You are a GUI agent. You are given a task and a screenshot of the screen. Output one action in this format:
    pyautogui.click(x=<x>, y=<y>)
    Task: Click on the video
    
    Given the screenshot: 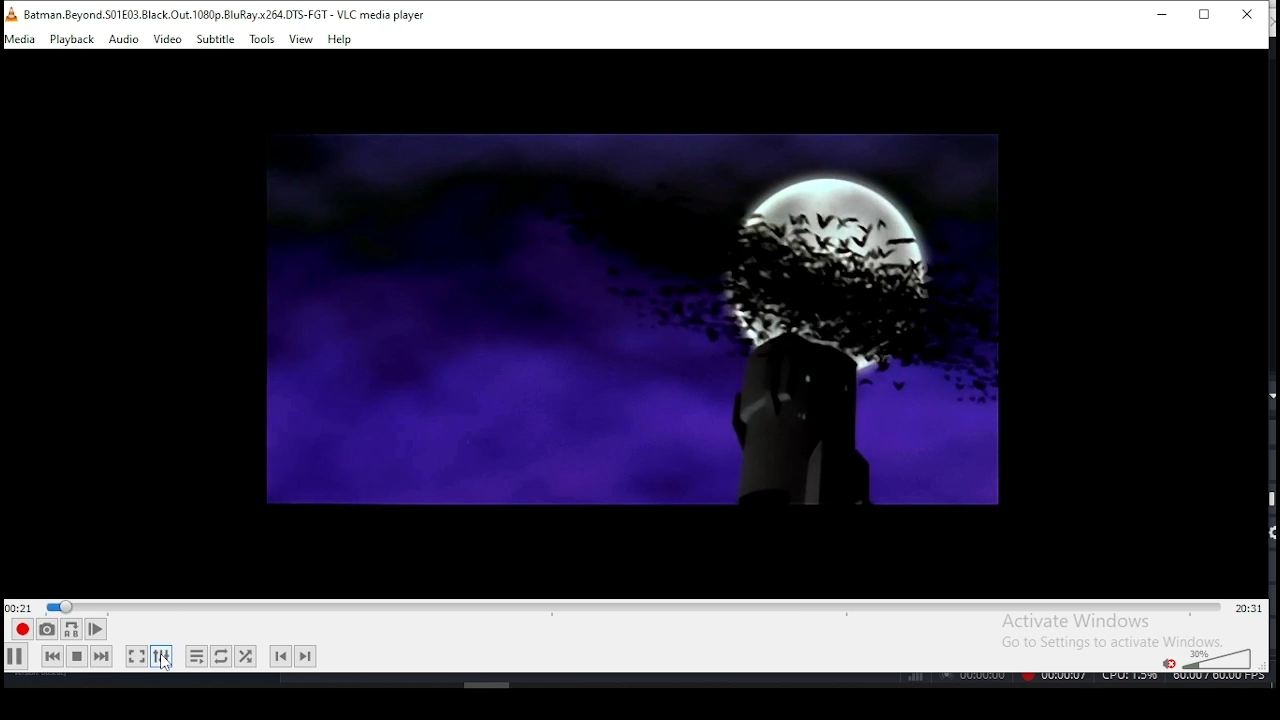 What is the action you would take?
    pyautogui.click(x=168, y=40)
    